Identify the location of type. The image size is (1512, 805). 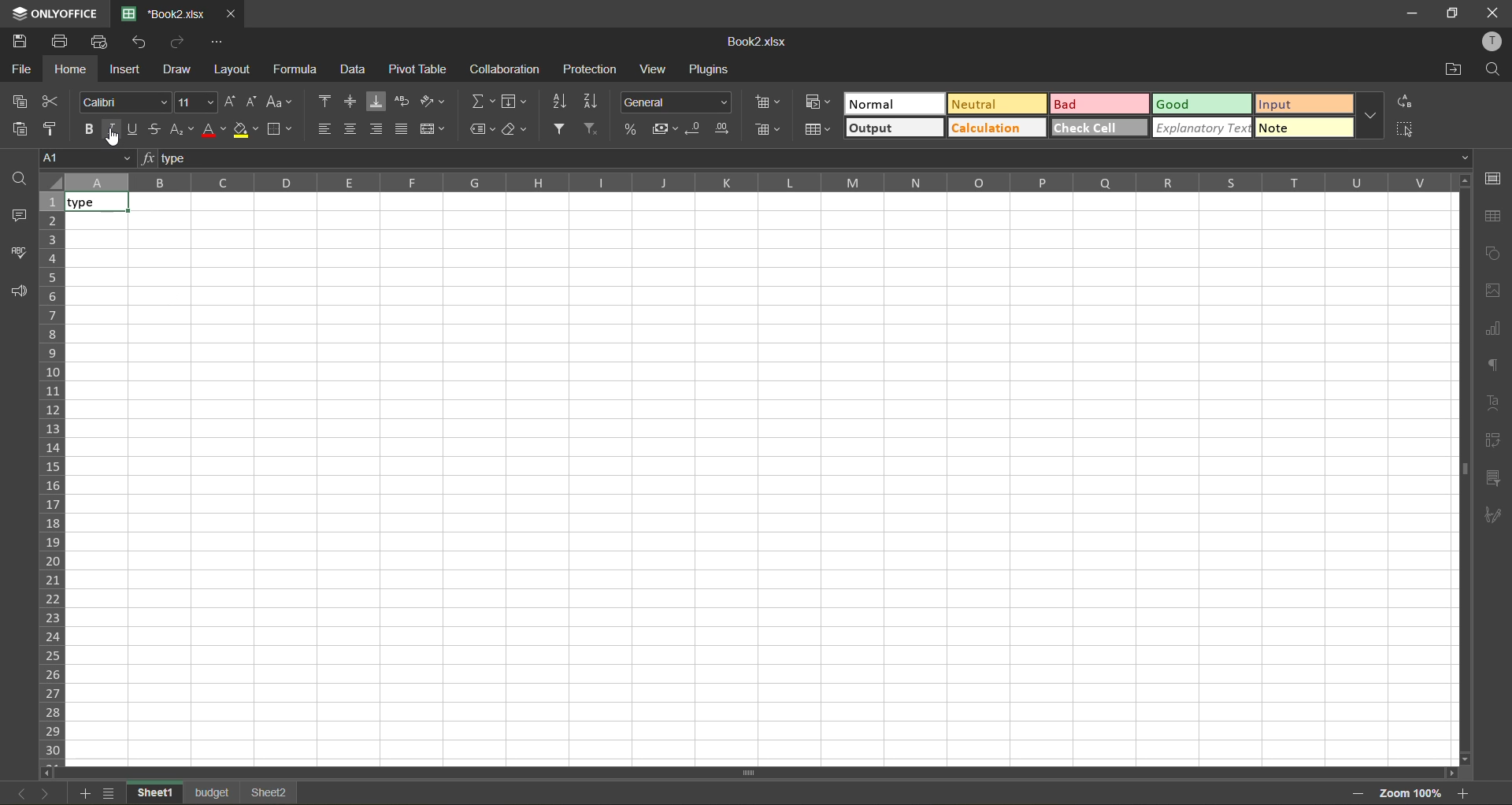
(96, 202).